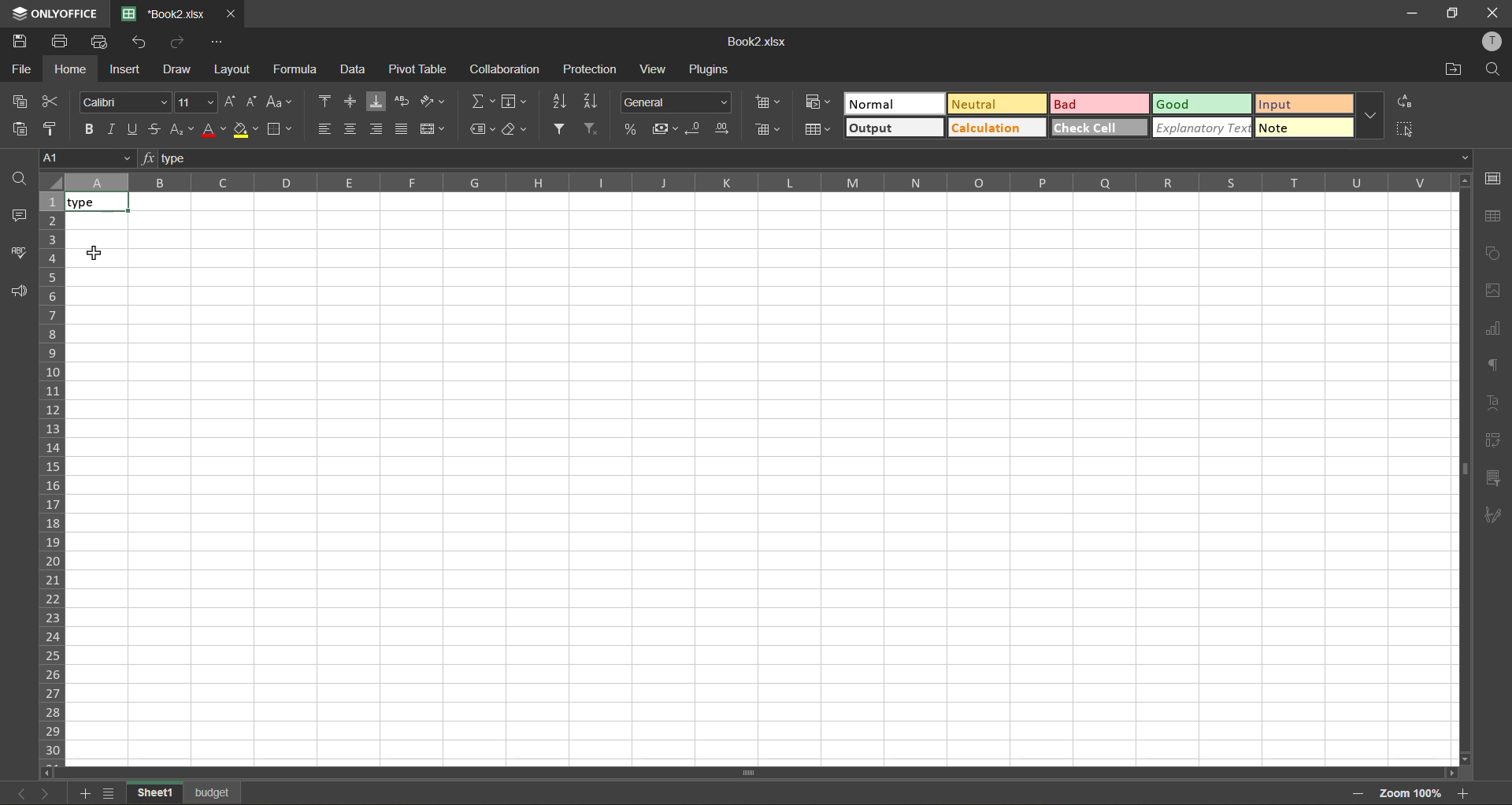  What do you see at coordinates (1403, 13) in the screenshot?
I see `minimize` at bounding box center [1403, 13].